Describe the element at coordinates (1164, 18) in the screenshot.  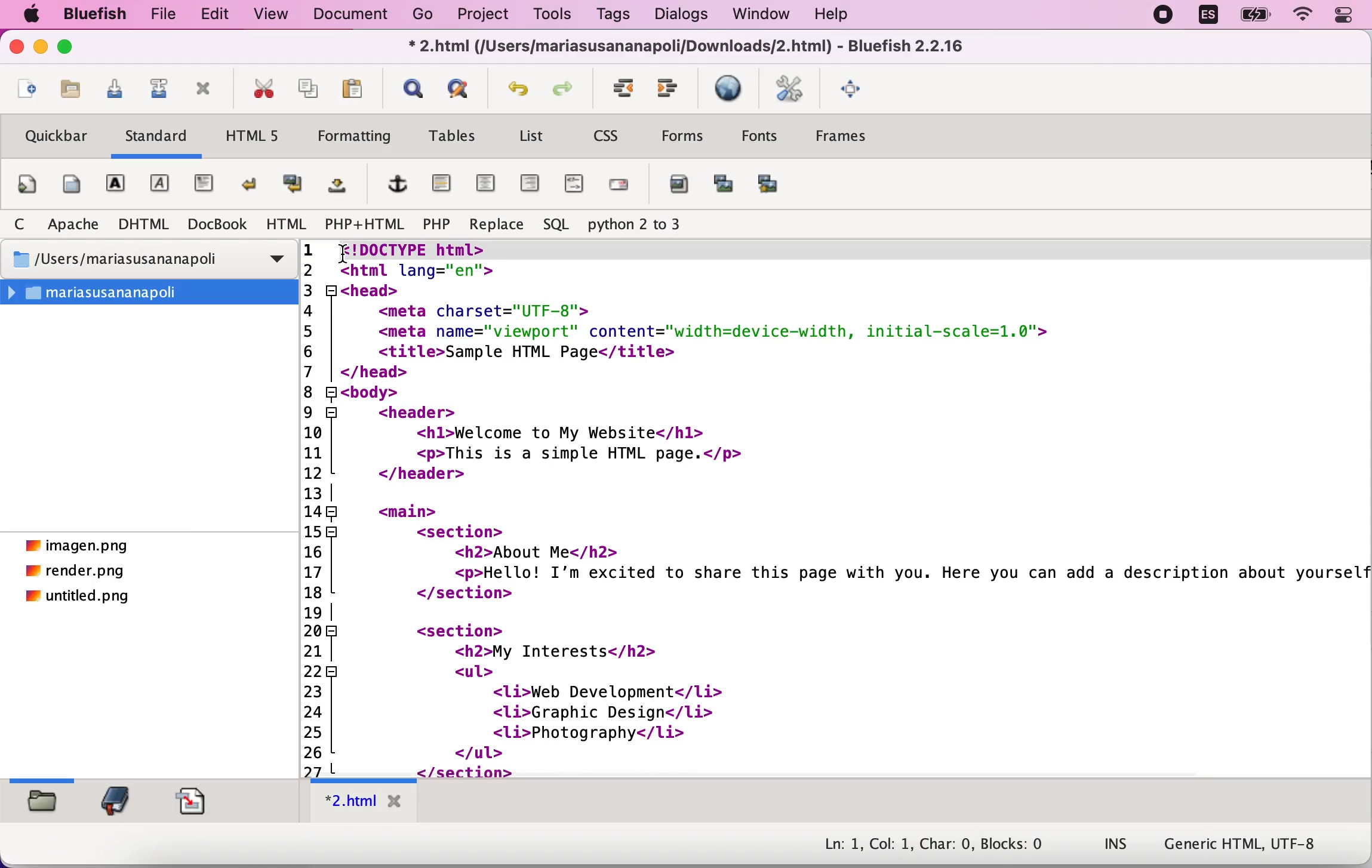
I see `recording` at that location.